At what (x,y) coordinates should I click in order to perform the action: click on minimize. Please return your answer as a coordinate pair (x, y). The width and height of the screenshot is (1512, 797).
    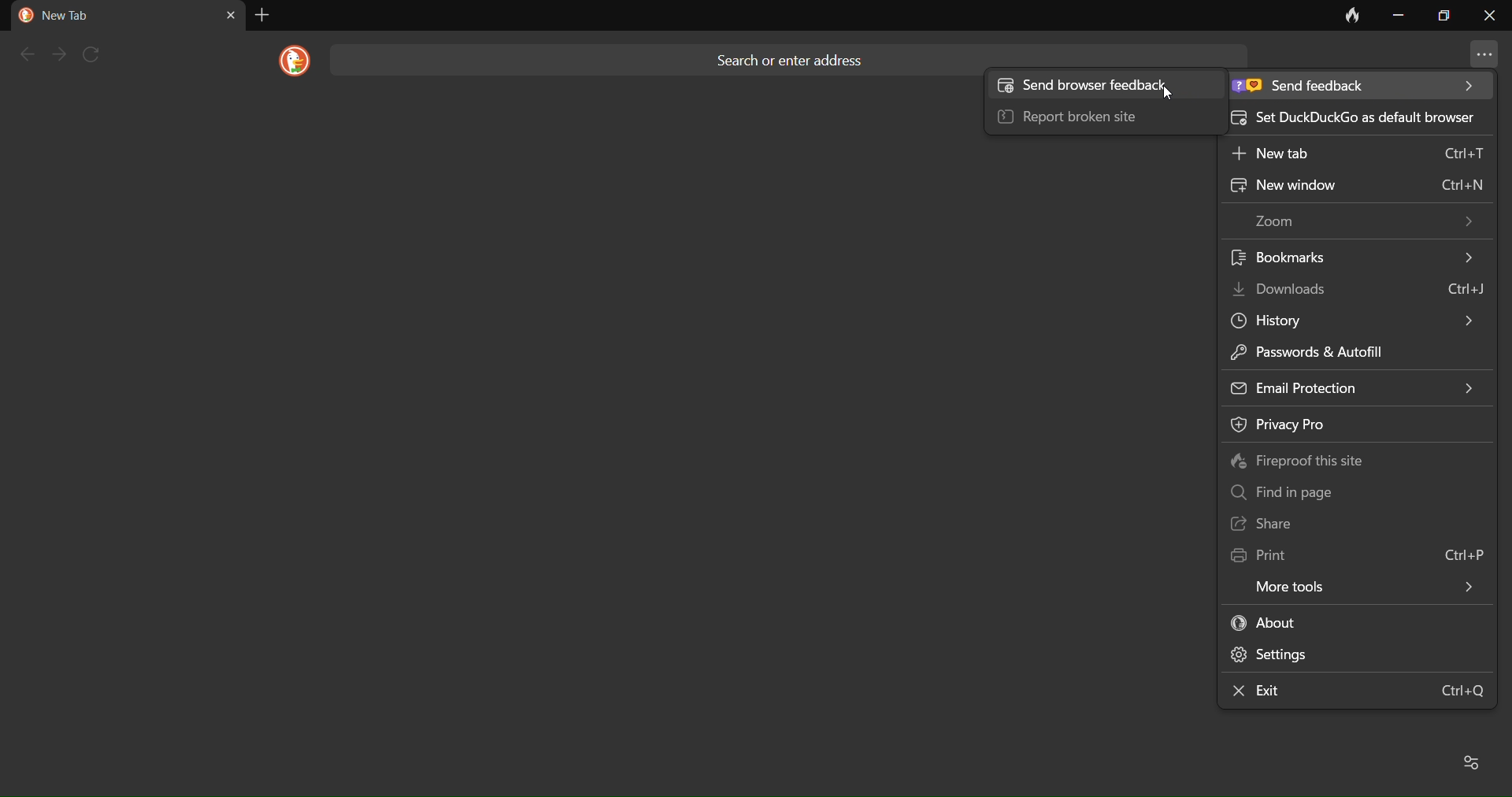
    Looking at the image, I should click on (1397, 16).